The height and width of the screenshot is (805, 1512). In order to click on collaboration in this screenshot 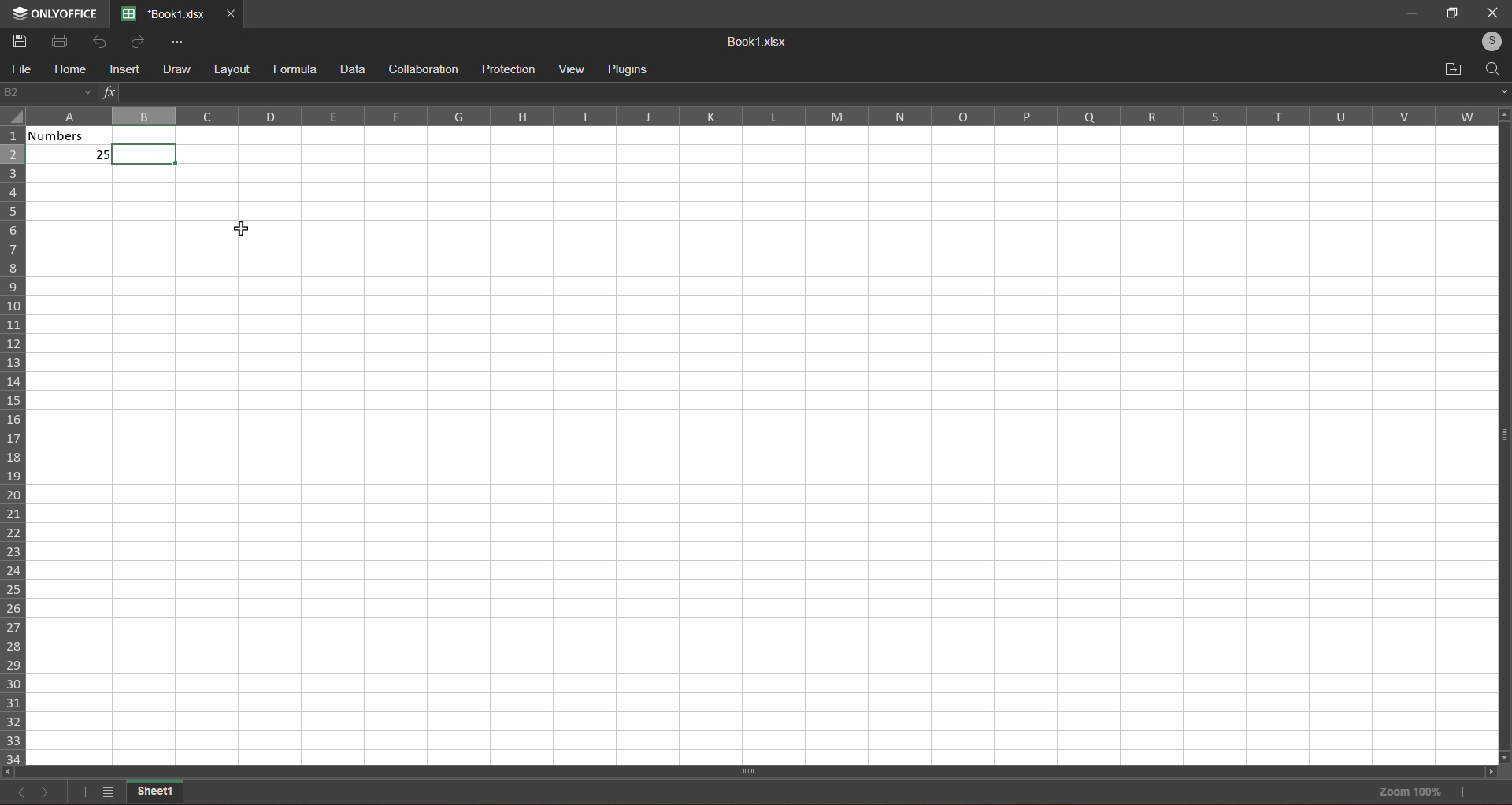, I will do `click(422, 68)`.